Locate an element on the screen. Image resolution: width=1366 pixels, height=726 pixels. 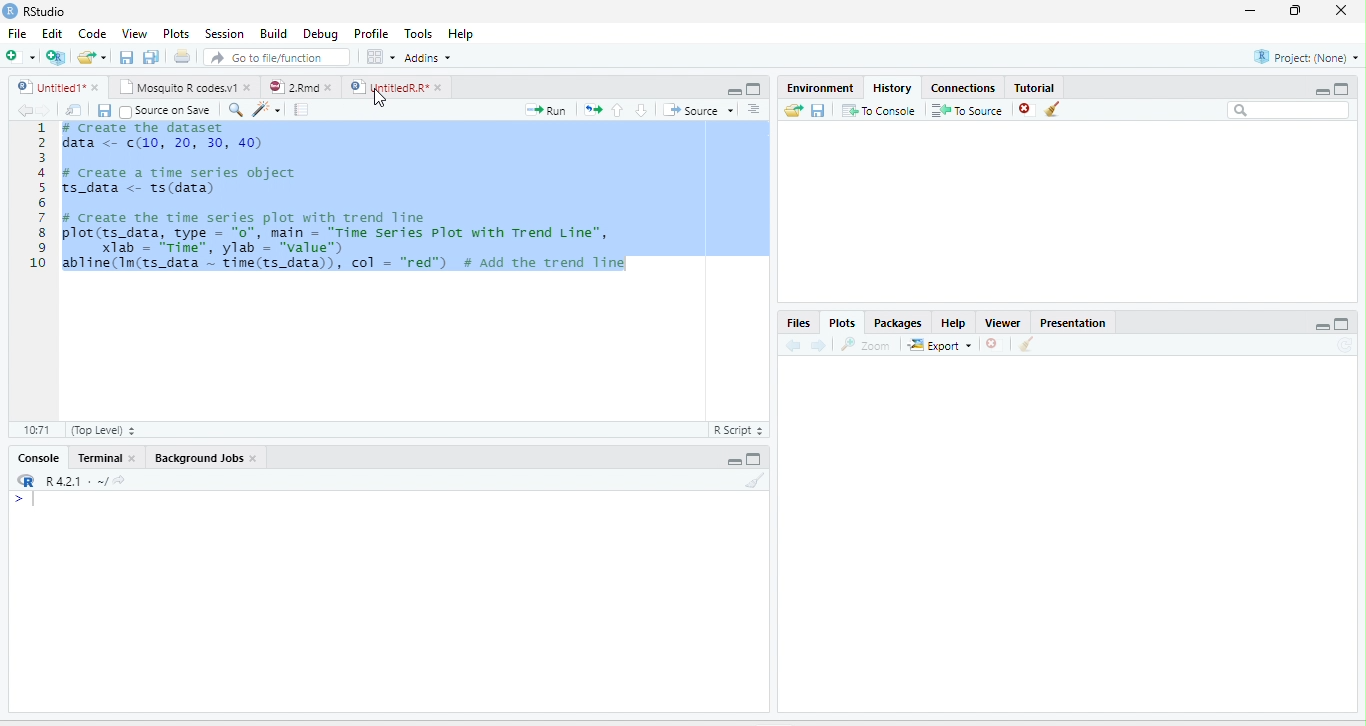
Workspace panes is located at coordinates (379, 56).